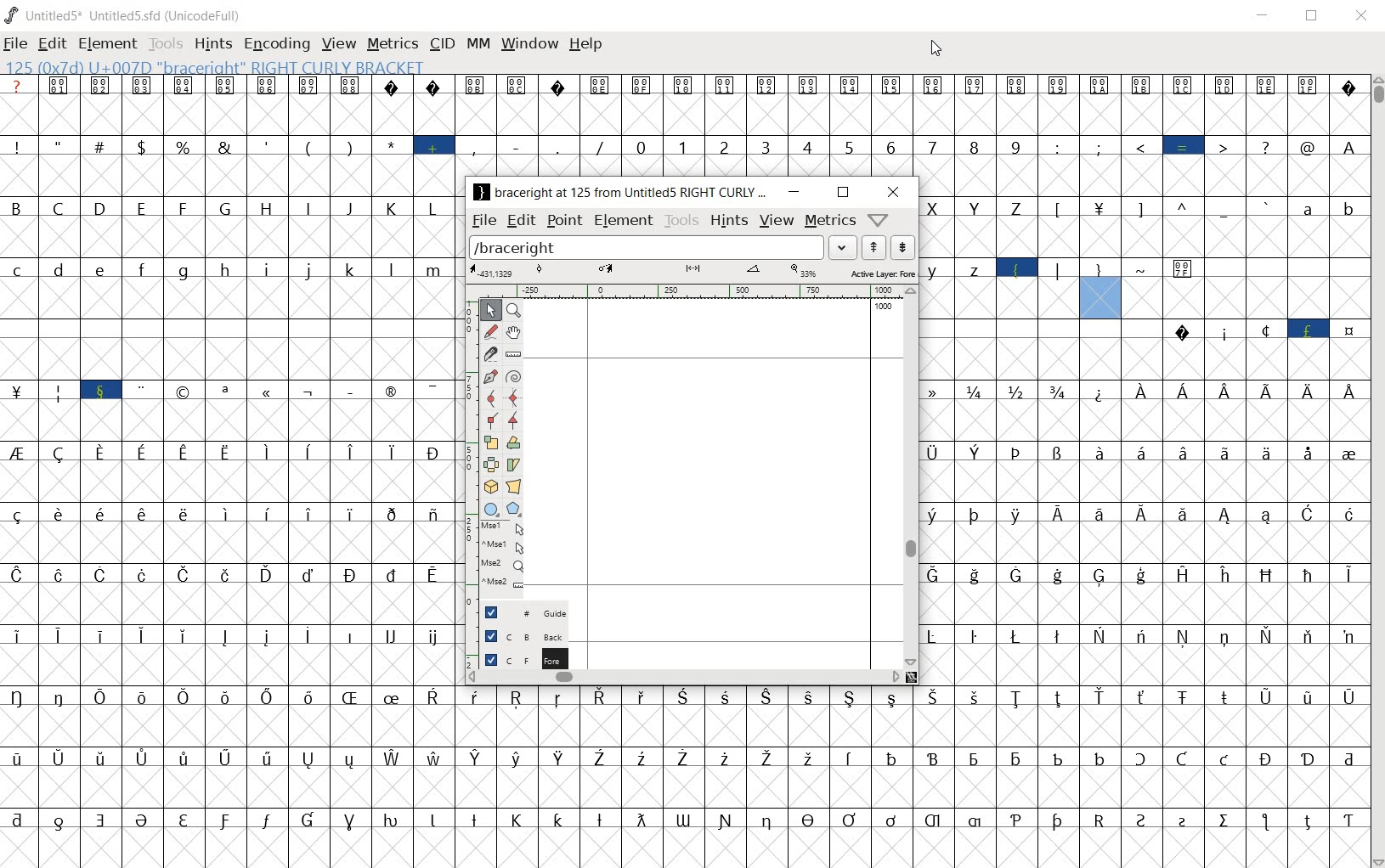 The width and height of the screenshot is (1385, 868). What do you see at coordinates (843, 192) in the screenshot?
I see `restore down` at bounding box center [843, 192].